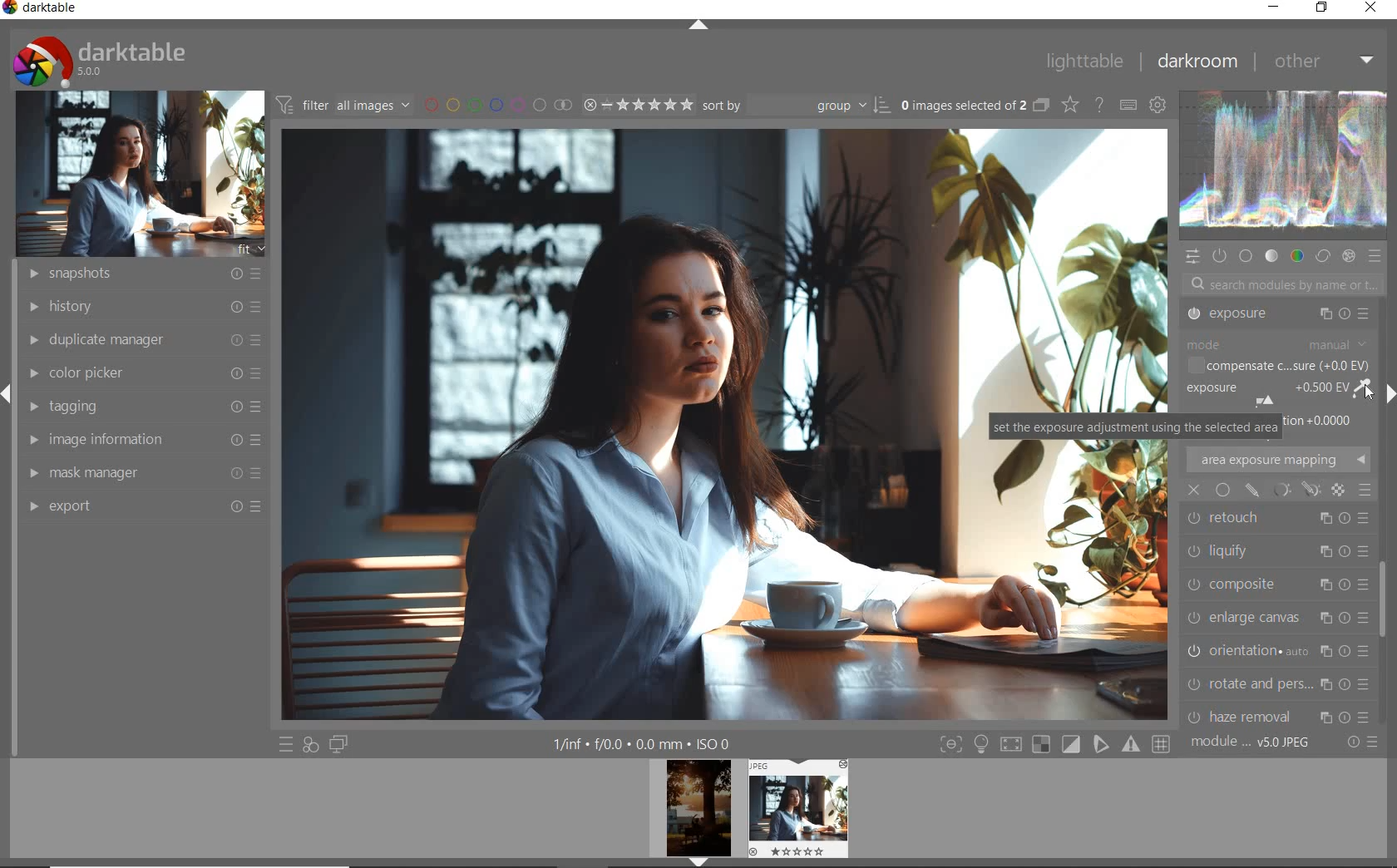 This screenshot has width=1397, height=868. I want to click on SNAPSHOTS, so click(146, 273).